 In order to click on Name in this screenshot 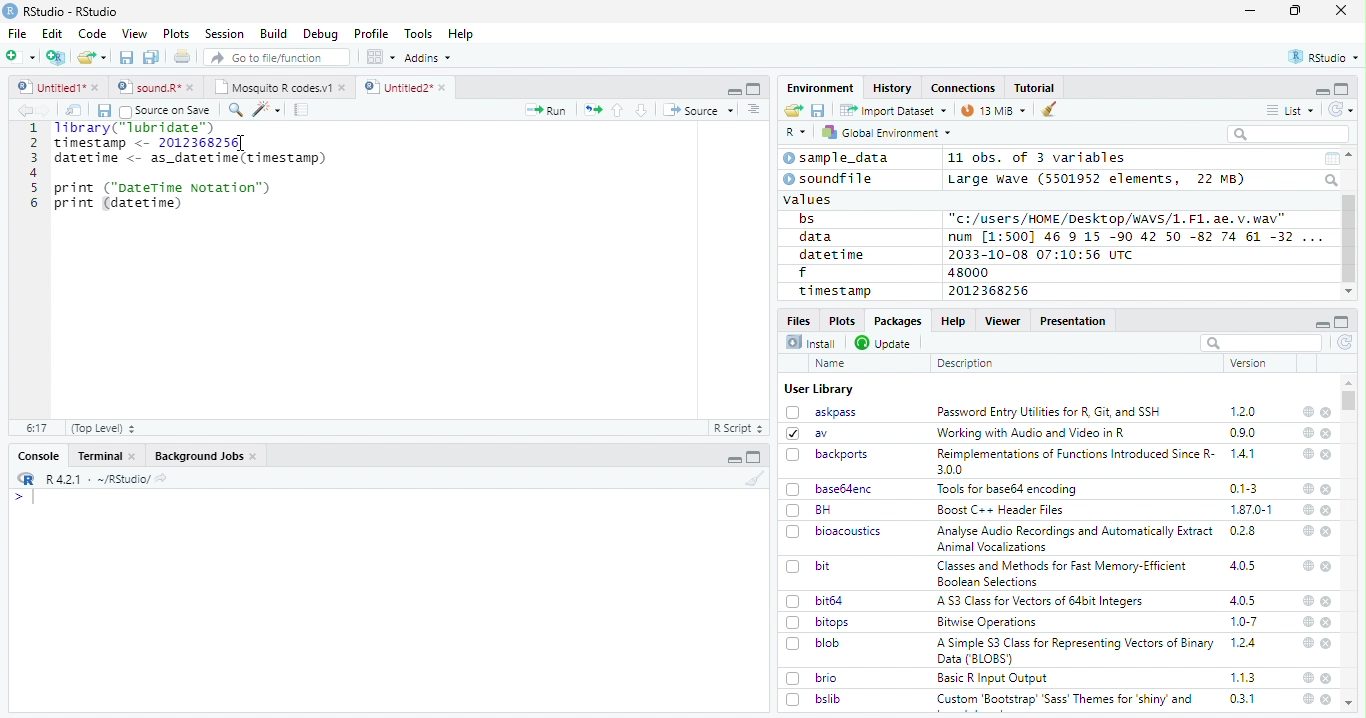, I will do `click(832, 364)`.